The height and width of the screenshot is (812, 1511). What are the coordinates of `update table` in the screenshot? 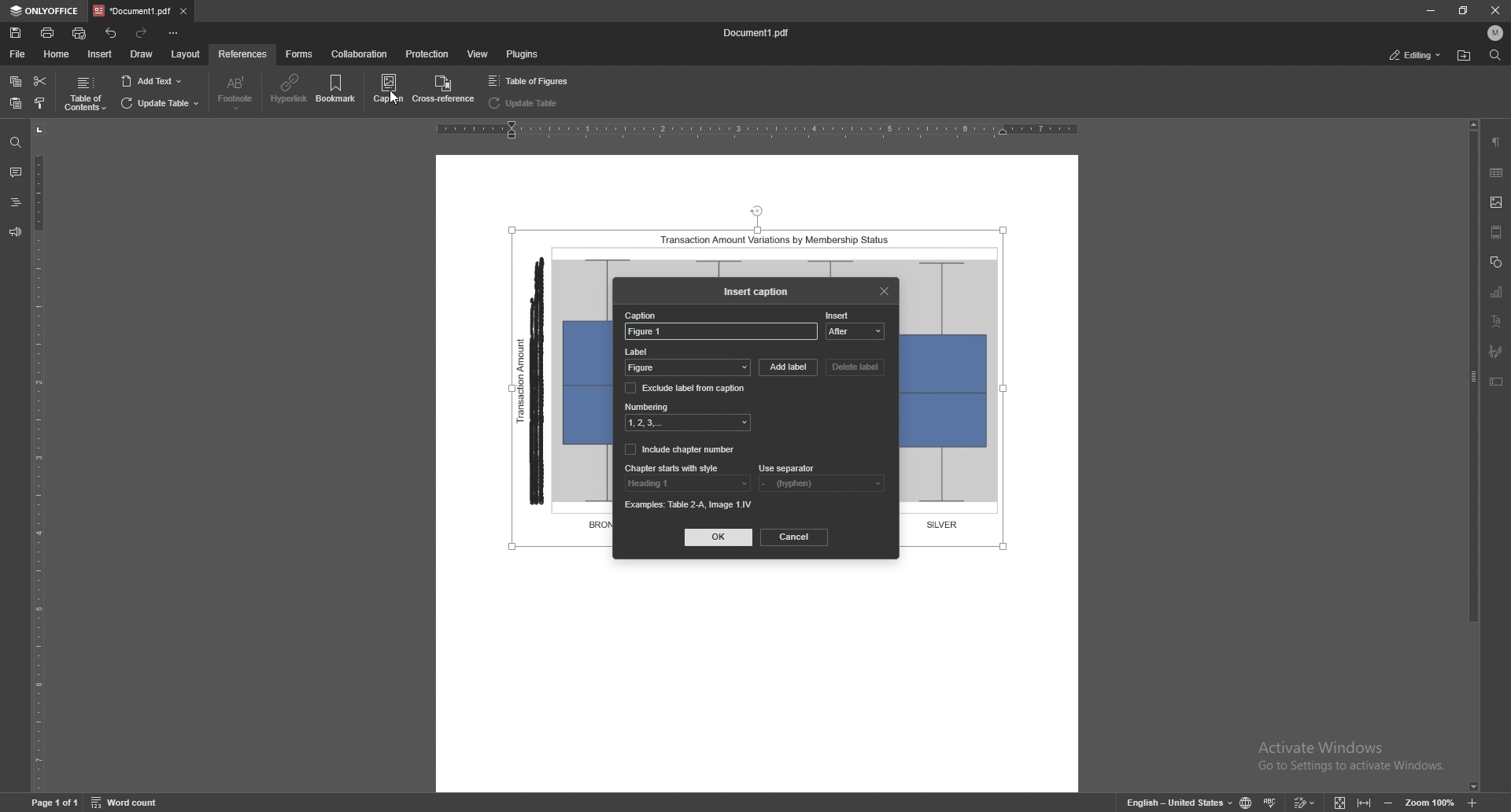 It's located at (160, 104).